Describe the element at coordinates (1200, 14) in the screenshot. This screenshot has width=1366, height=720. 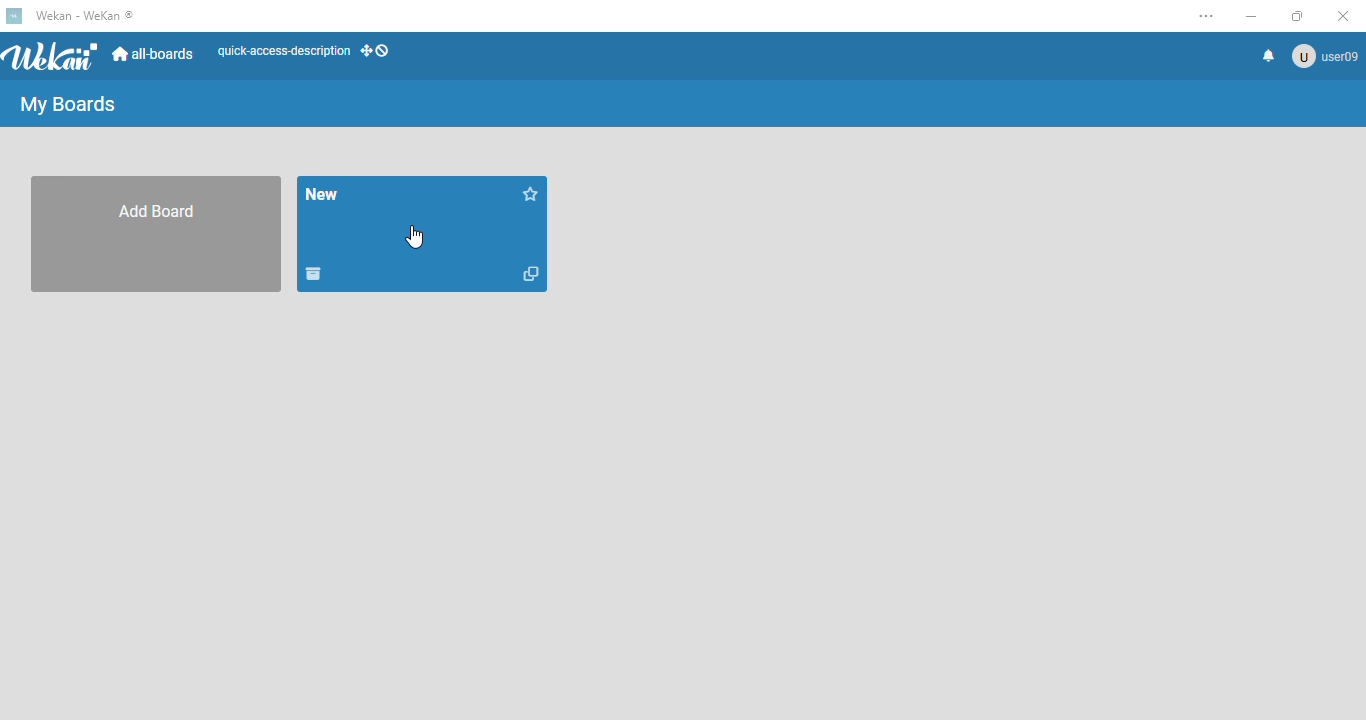
I see `settings and more` at that location.